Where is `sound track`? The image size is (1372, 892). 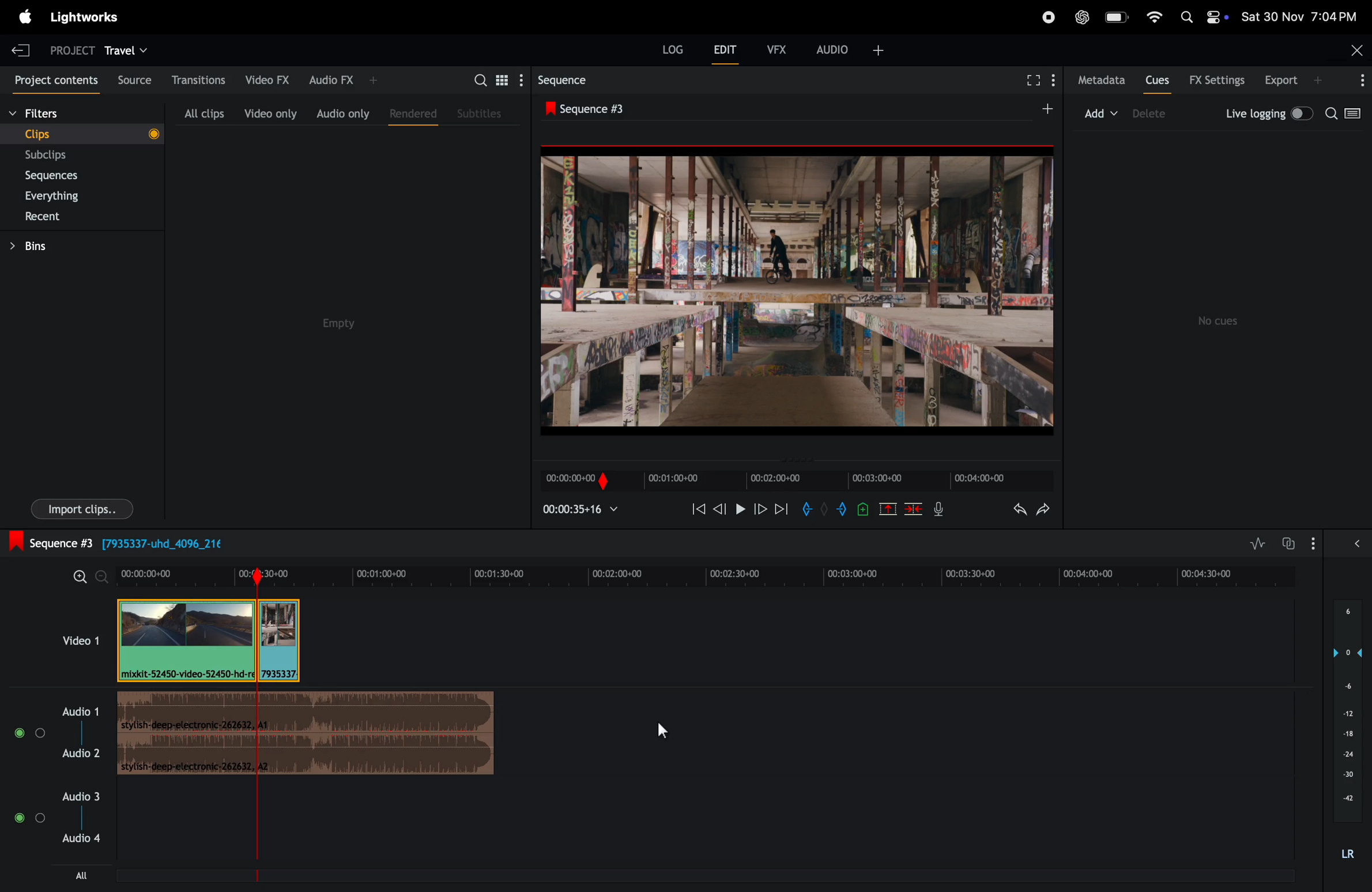
sound track is located at coordinates (307, 736).